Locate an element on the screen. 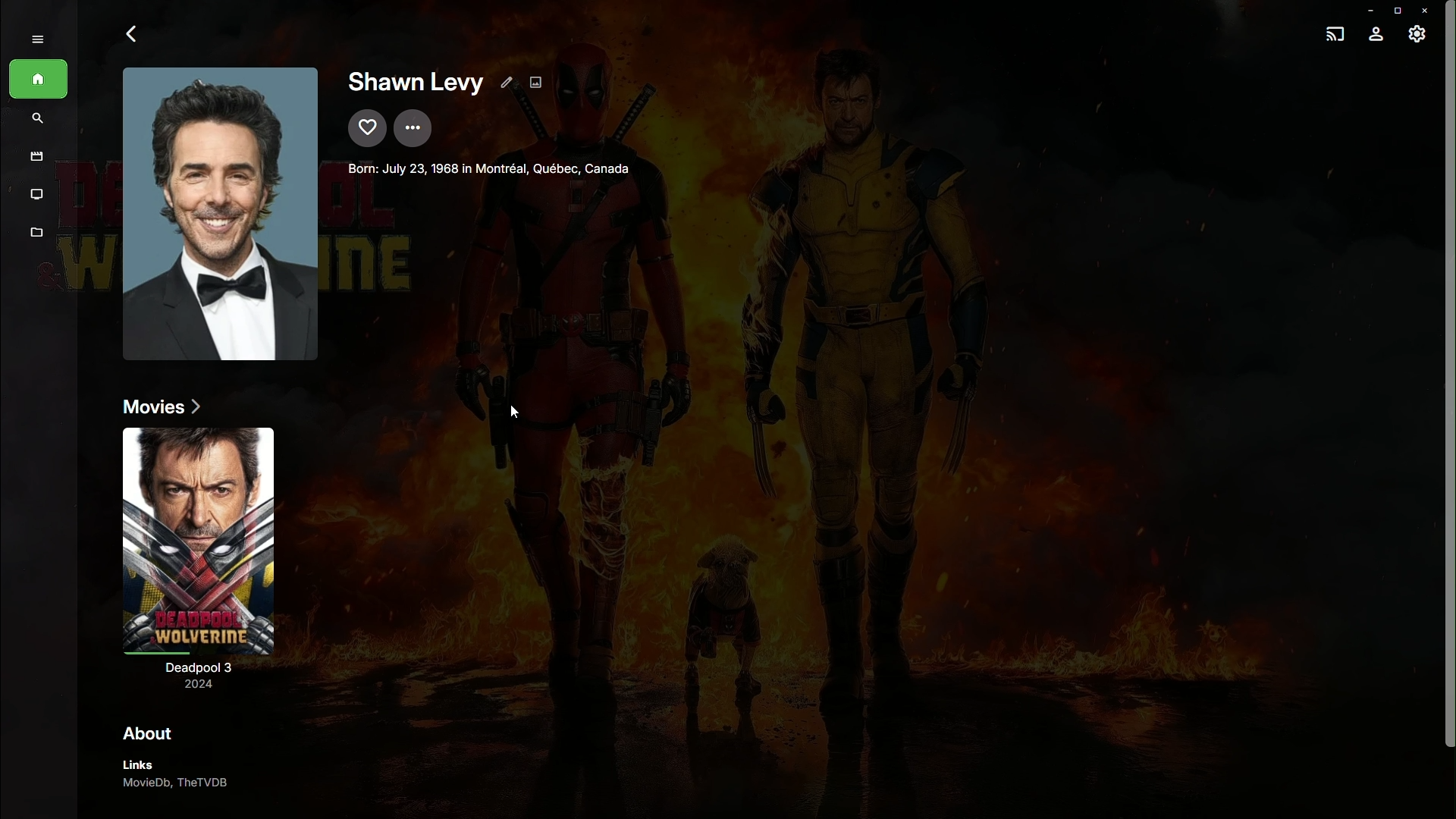  Movies is located at coordinates (167, 406).